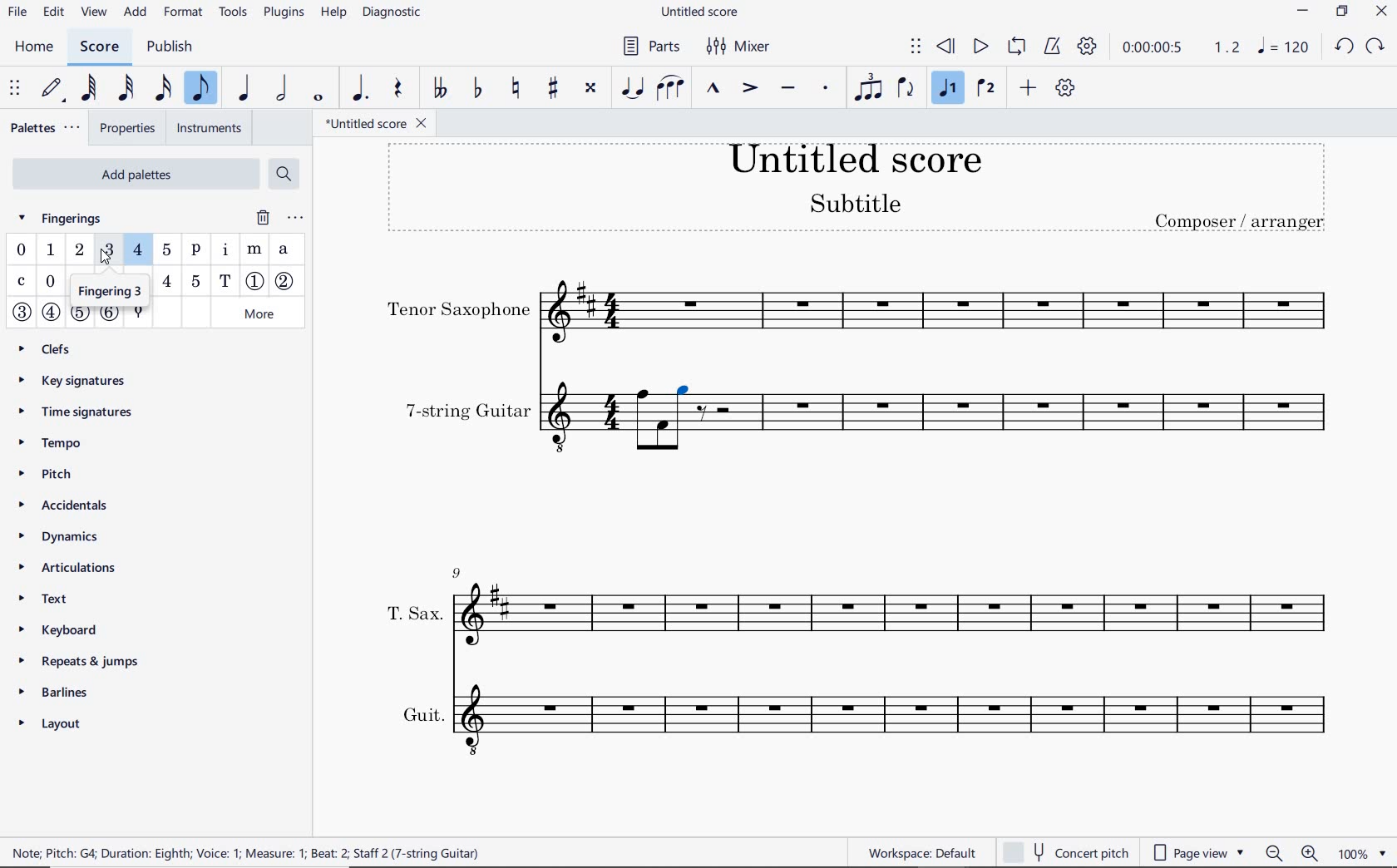 This screenshot has width=1397, height=868. Describe the element at coordinates (168, 281) in the screenshot. I see `LH Guitar Fingering 4` at that location.